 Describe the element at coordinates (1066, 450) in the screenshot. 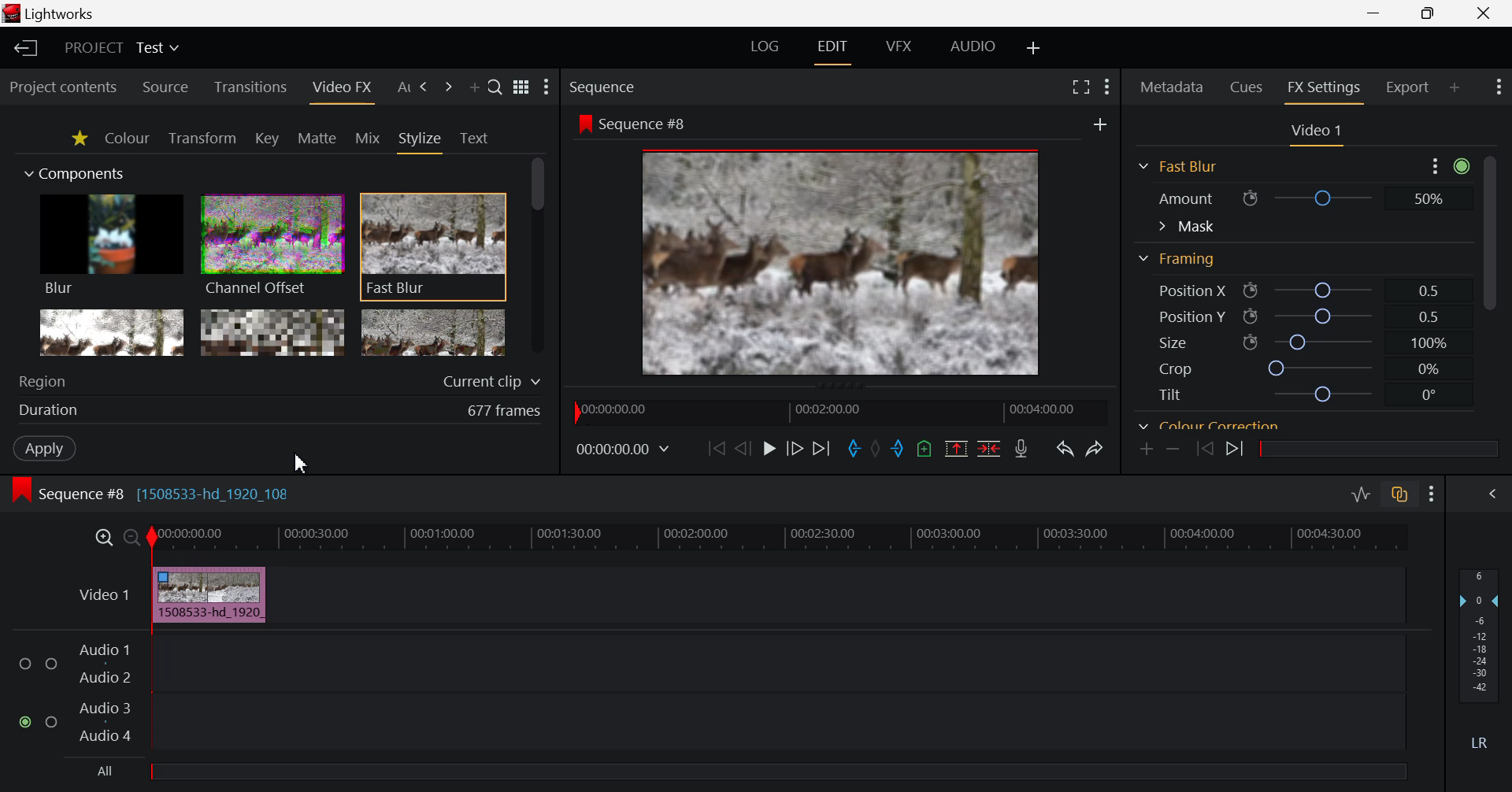

I see `Undo` at that location.